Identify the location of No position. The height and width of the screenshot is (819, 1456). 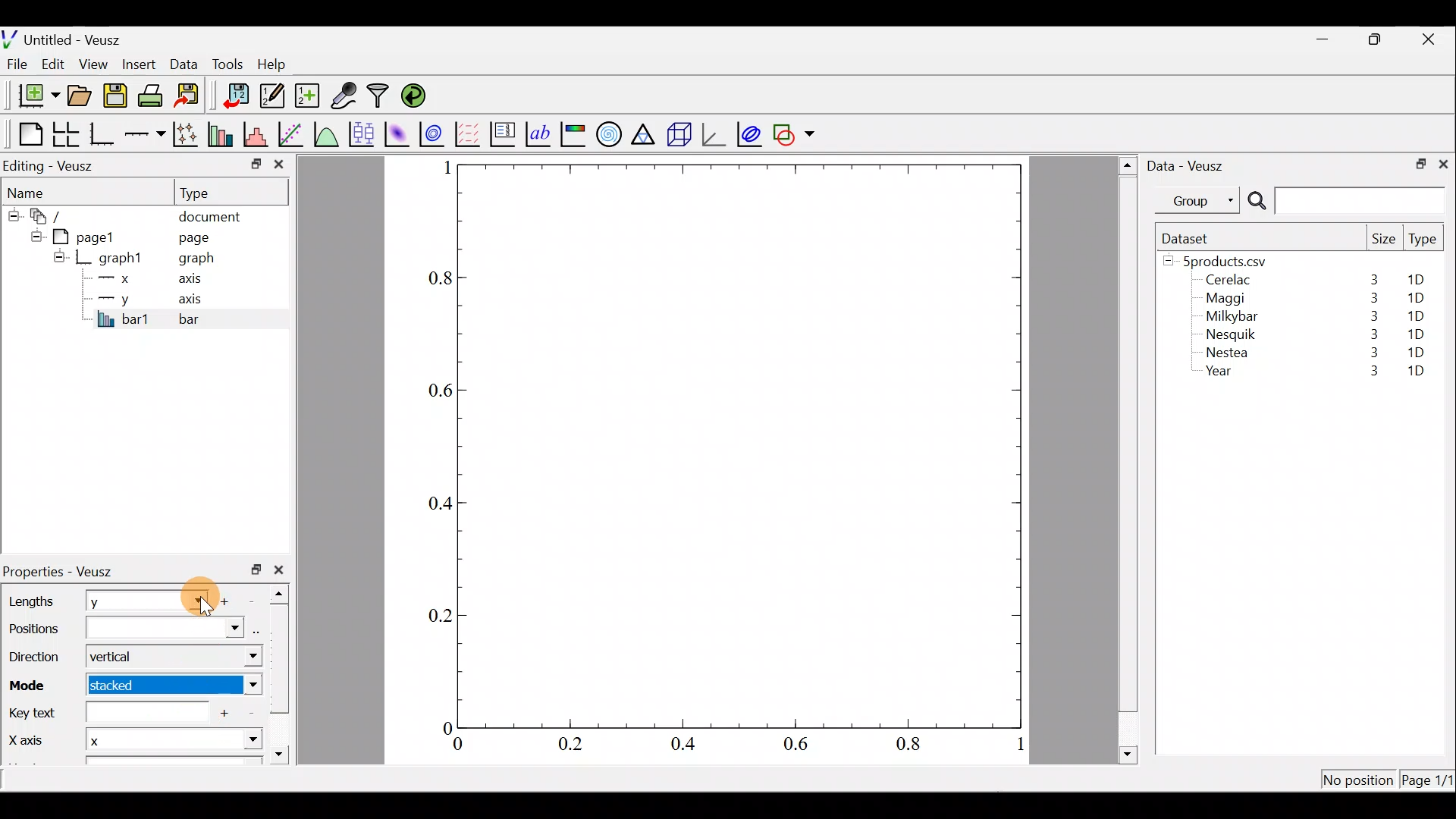
(1359, 781).